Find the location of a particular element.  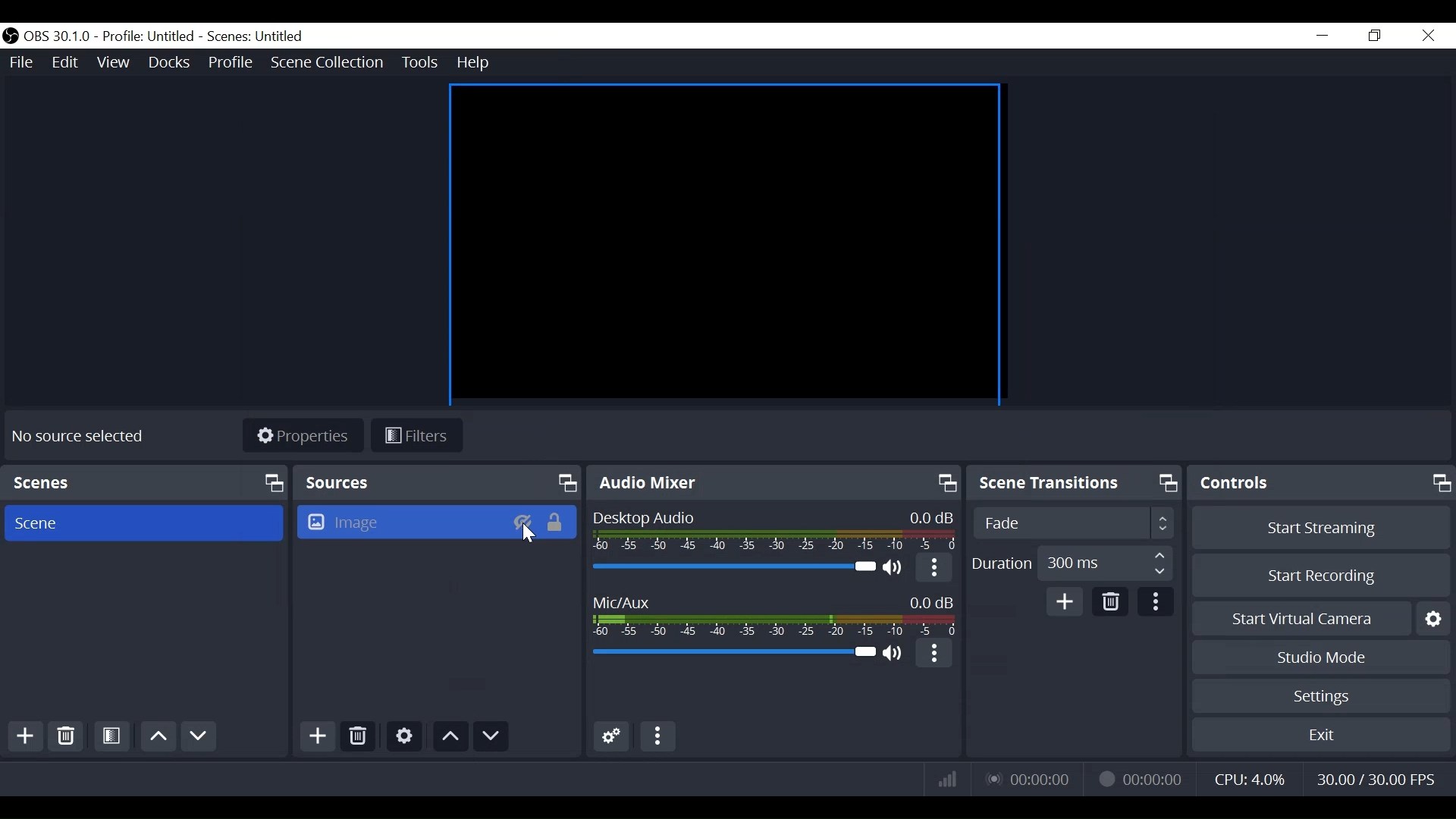

Mic/Aux is located at coordinates (771, 610).